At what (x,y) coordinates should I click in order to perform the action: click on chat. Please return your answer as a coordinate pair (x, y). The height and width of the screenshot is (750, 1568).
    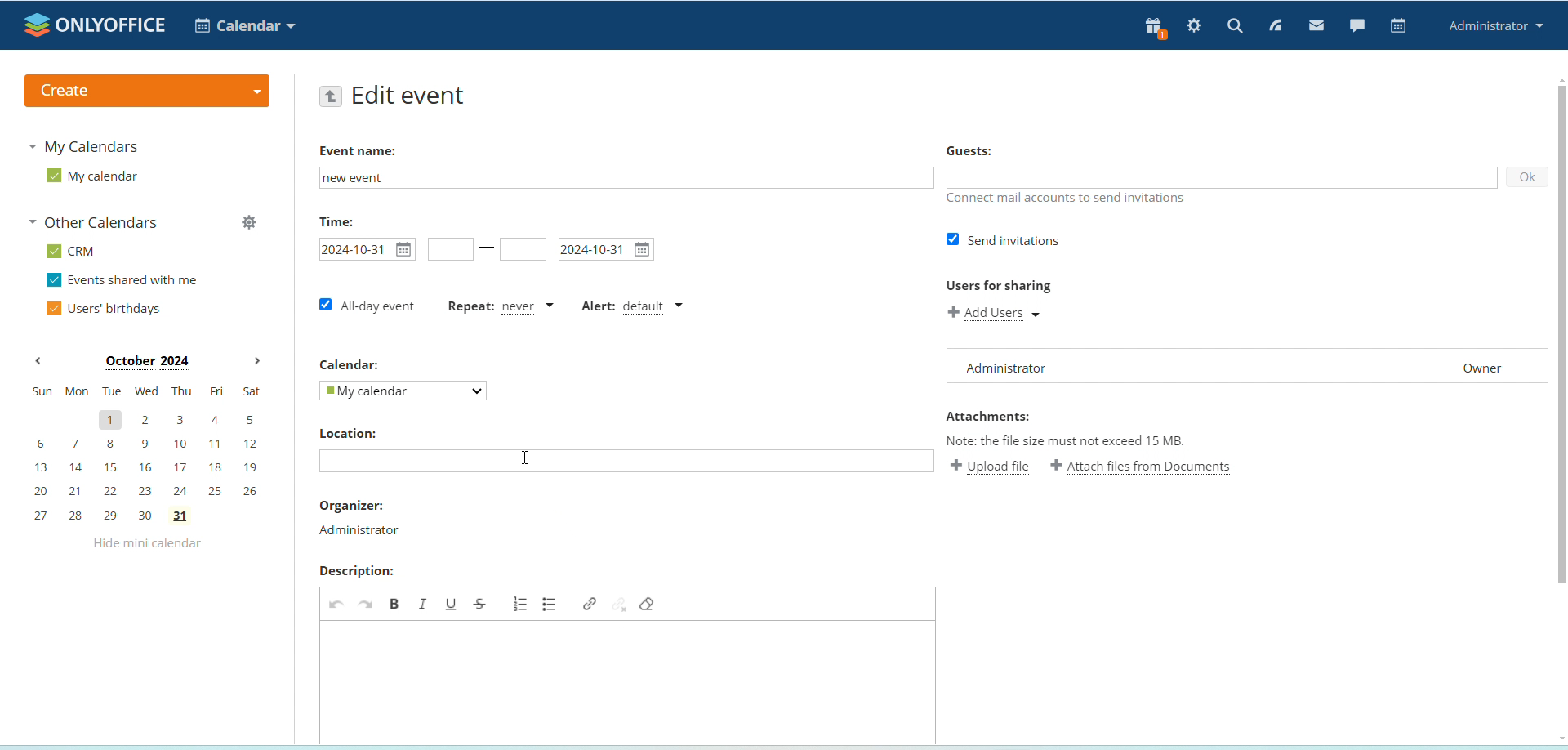
    Looking at the image, I should click on (1356, 25).